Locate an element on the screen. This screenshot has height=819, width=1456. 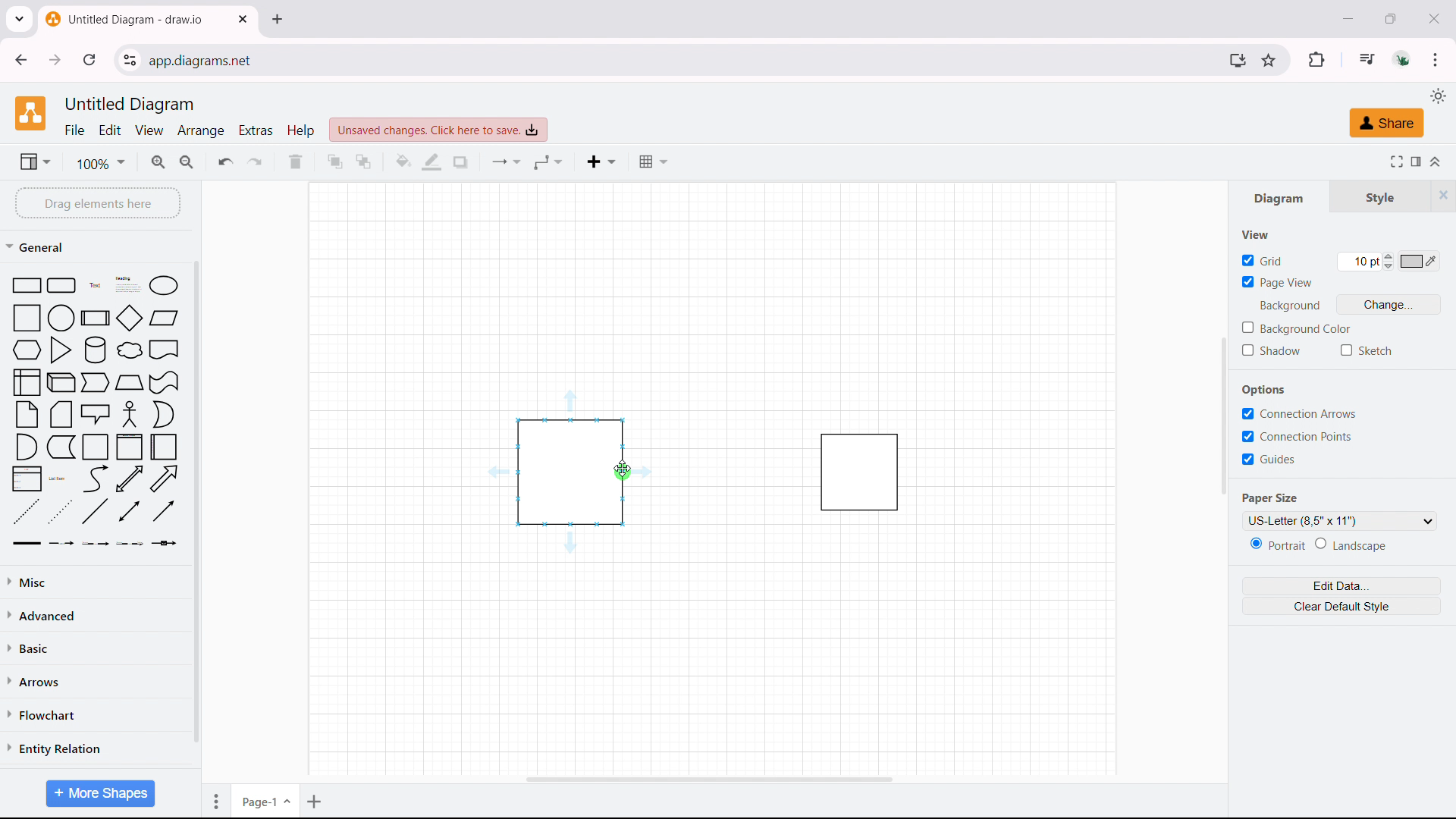
account is located at coordinates (1404, 59).